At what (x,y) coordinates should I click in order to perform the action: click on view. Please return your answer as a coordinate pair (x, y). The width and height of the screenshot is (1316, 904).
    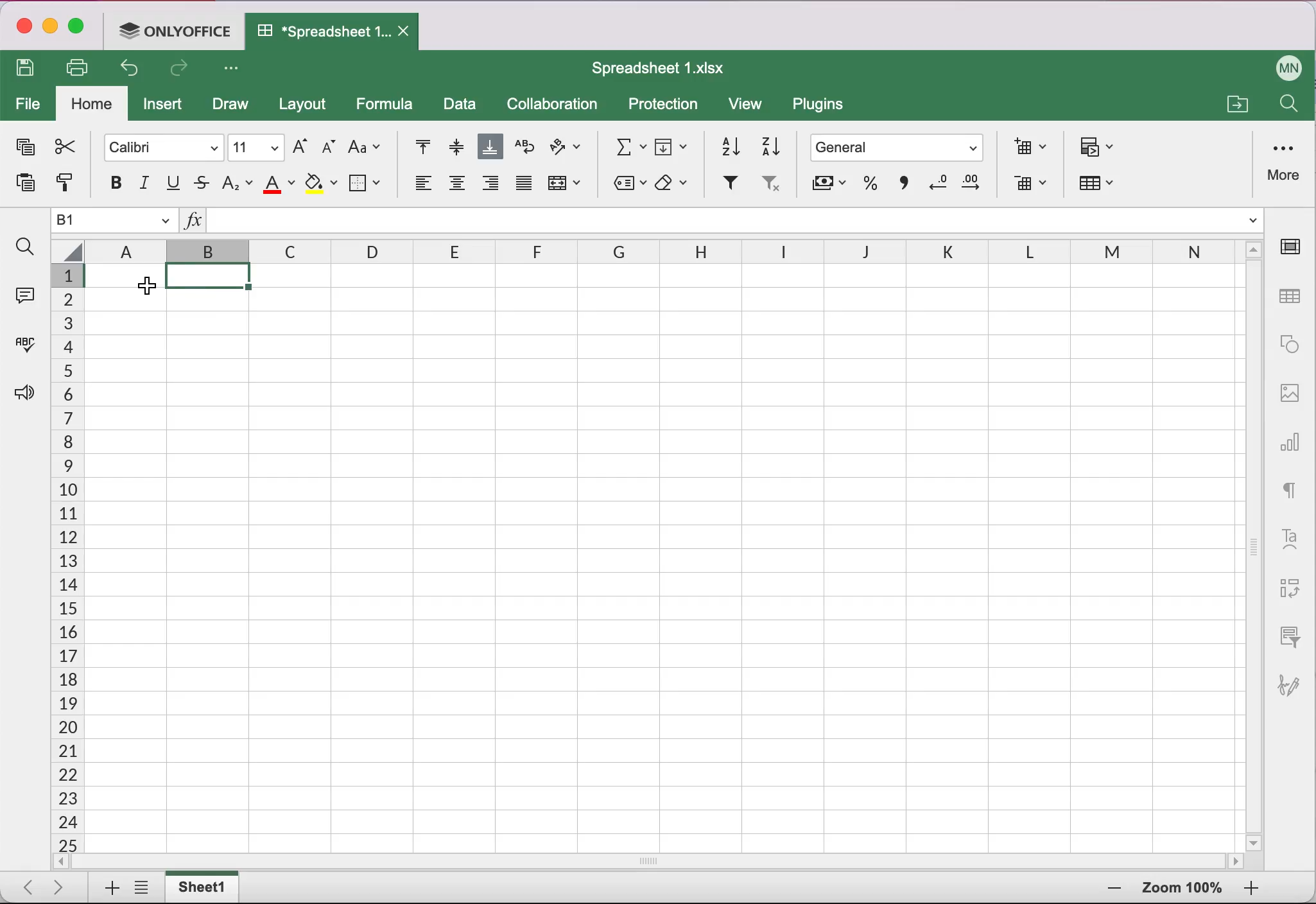
    Looking at the image, I should click on (751, 107).